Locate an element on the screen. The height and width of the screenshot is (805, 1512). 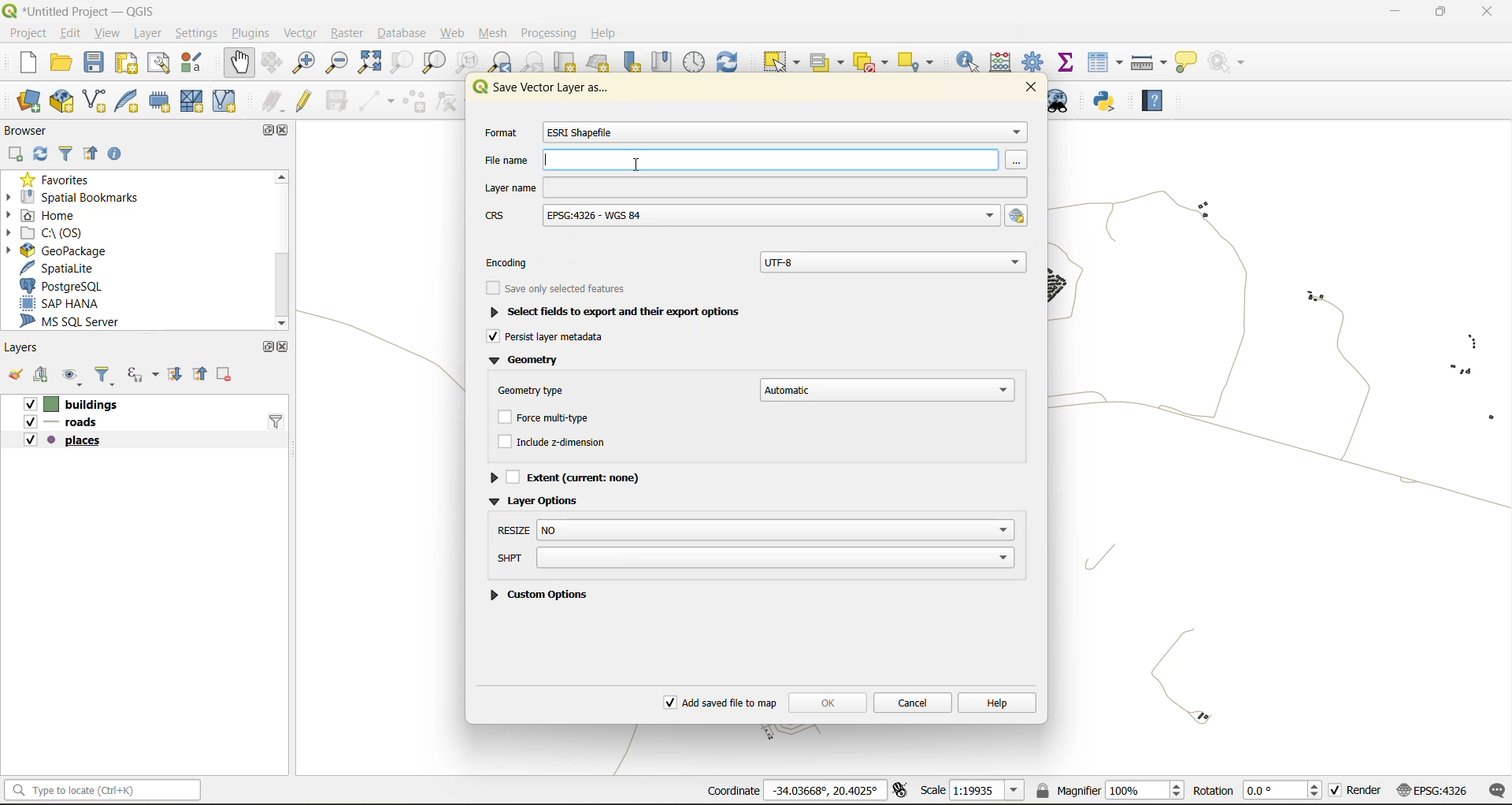
close is located at coordinates (1484, 13).